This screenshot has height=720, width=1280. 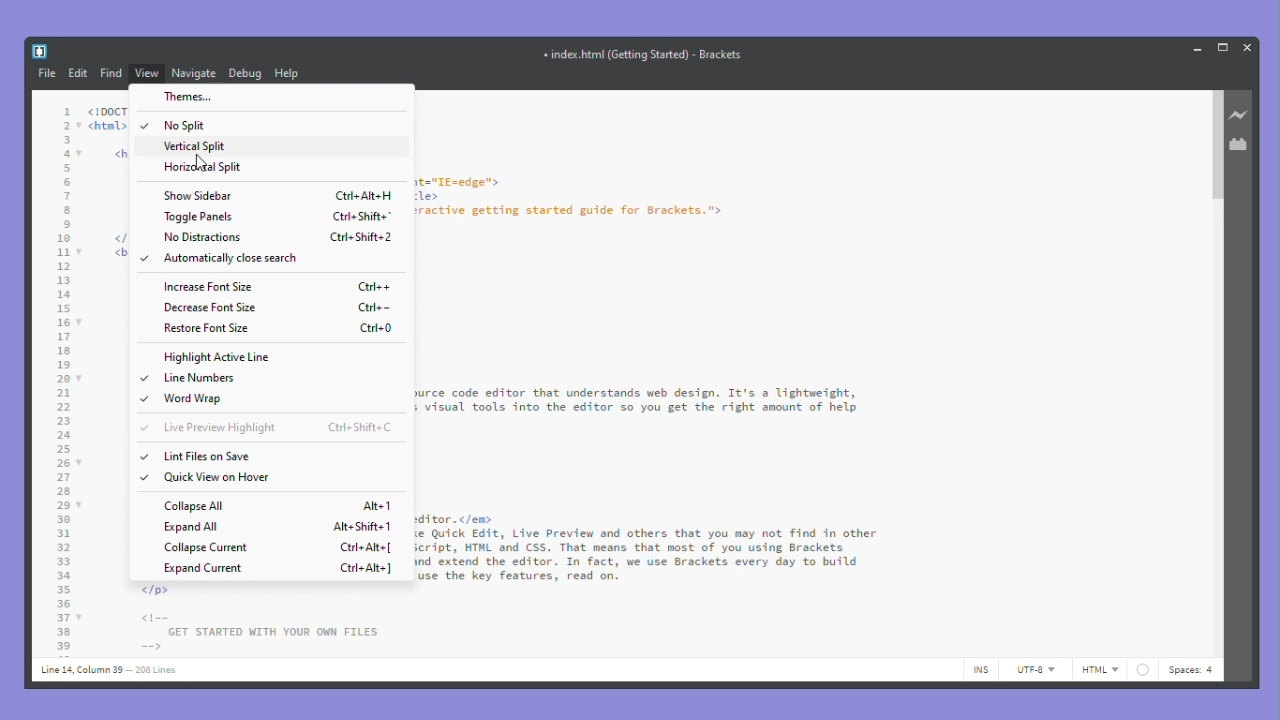 What do you see at coordinates (63, 280) in the screenshot?
I see `13` at bounding box center [63, 280].